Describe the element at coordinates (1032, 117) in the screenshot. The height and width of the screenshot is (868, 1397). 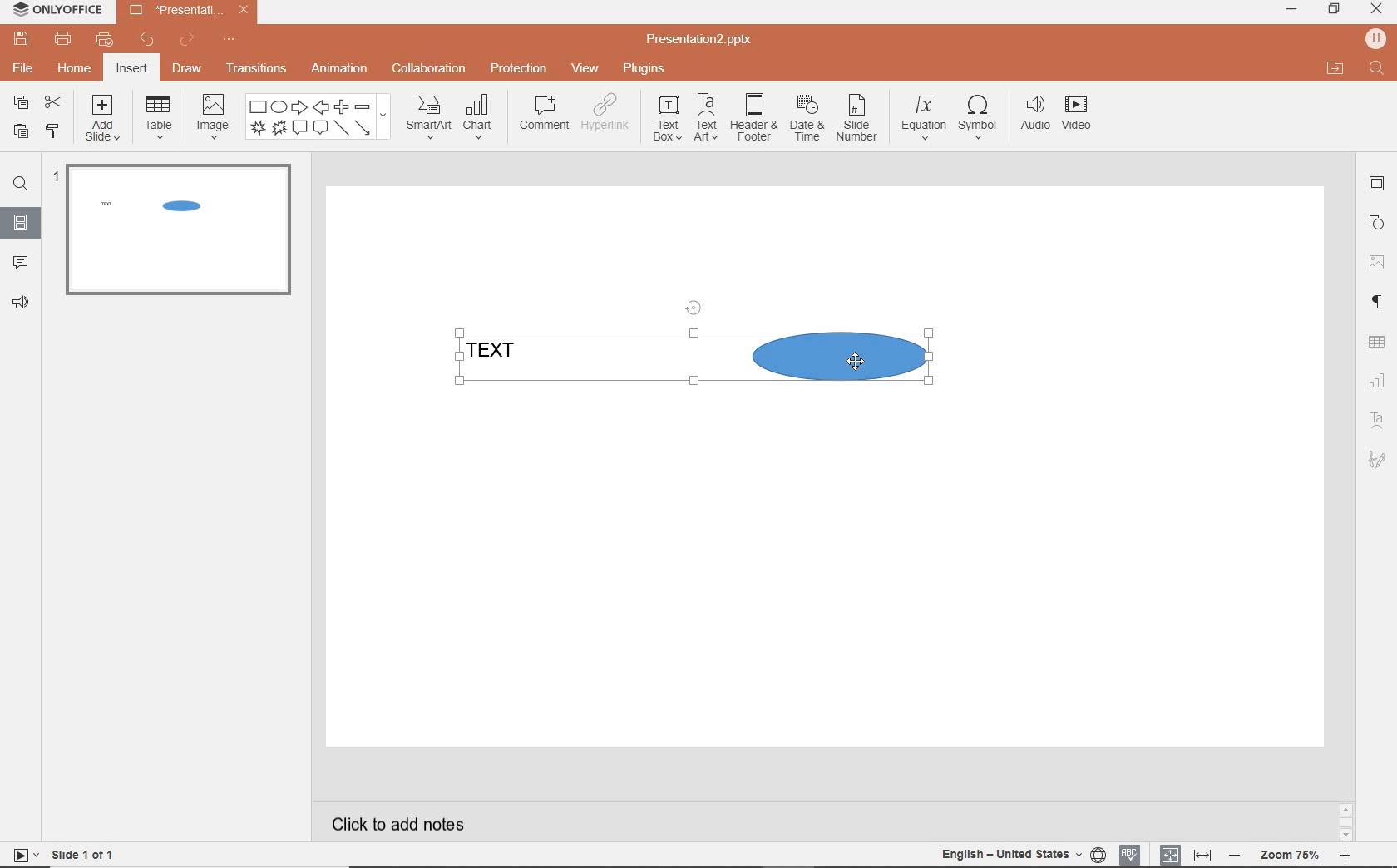
I see `audio` at that location.